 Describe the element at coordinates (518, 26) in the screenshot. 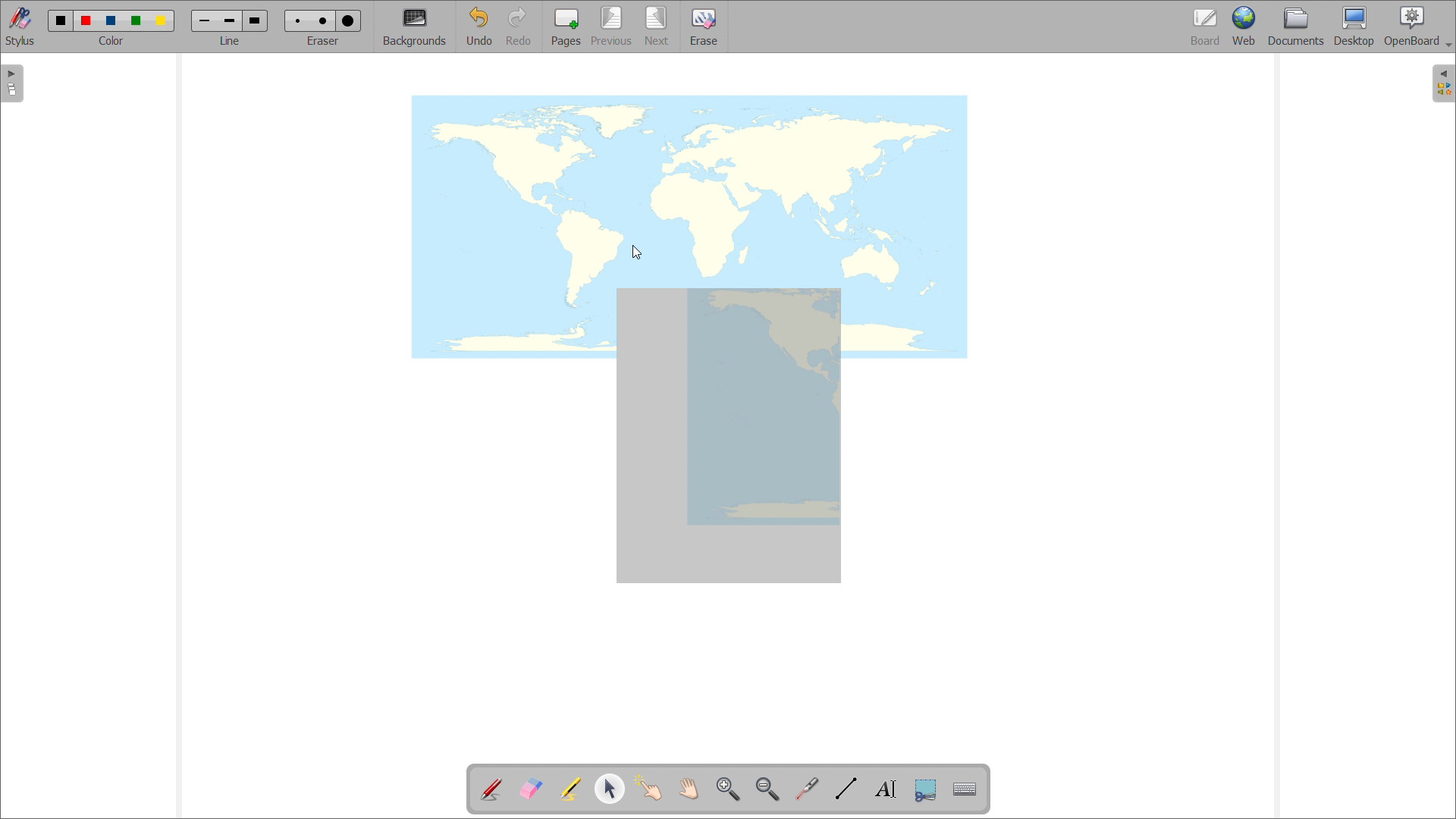

I see `redo` at that location.